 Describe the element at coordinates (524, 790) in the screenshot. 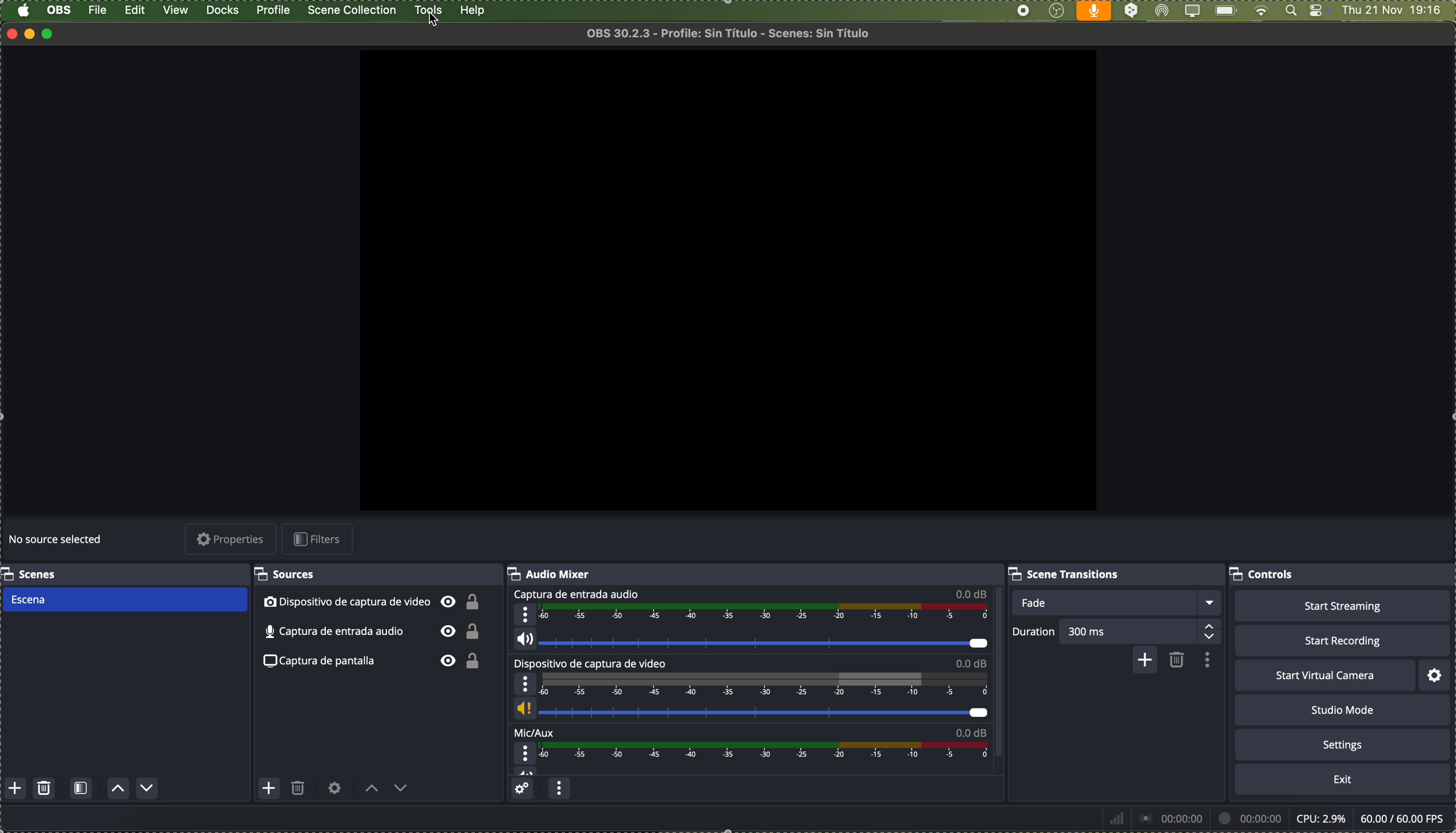

I see `advanced audio properties` at that location.